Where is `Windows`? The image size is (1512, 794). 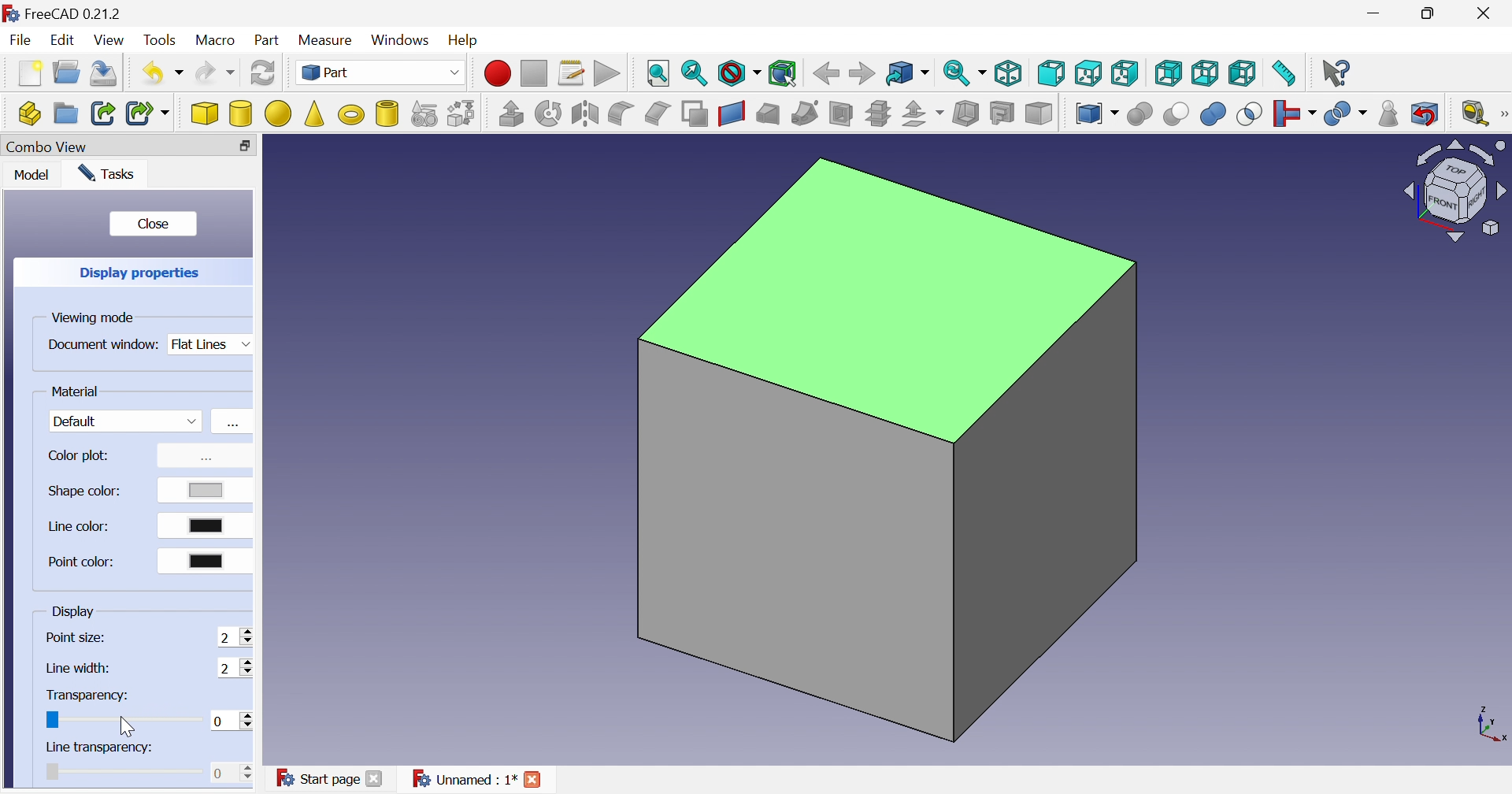
Windows is located at coordinates (402, 39).